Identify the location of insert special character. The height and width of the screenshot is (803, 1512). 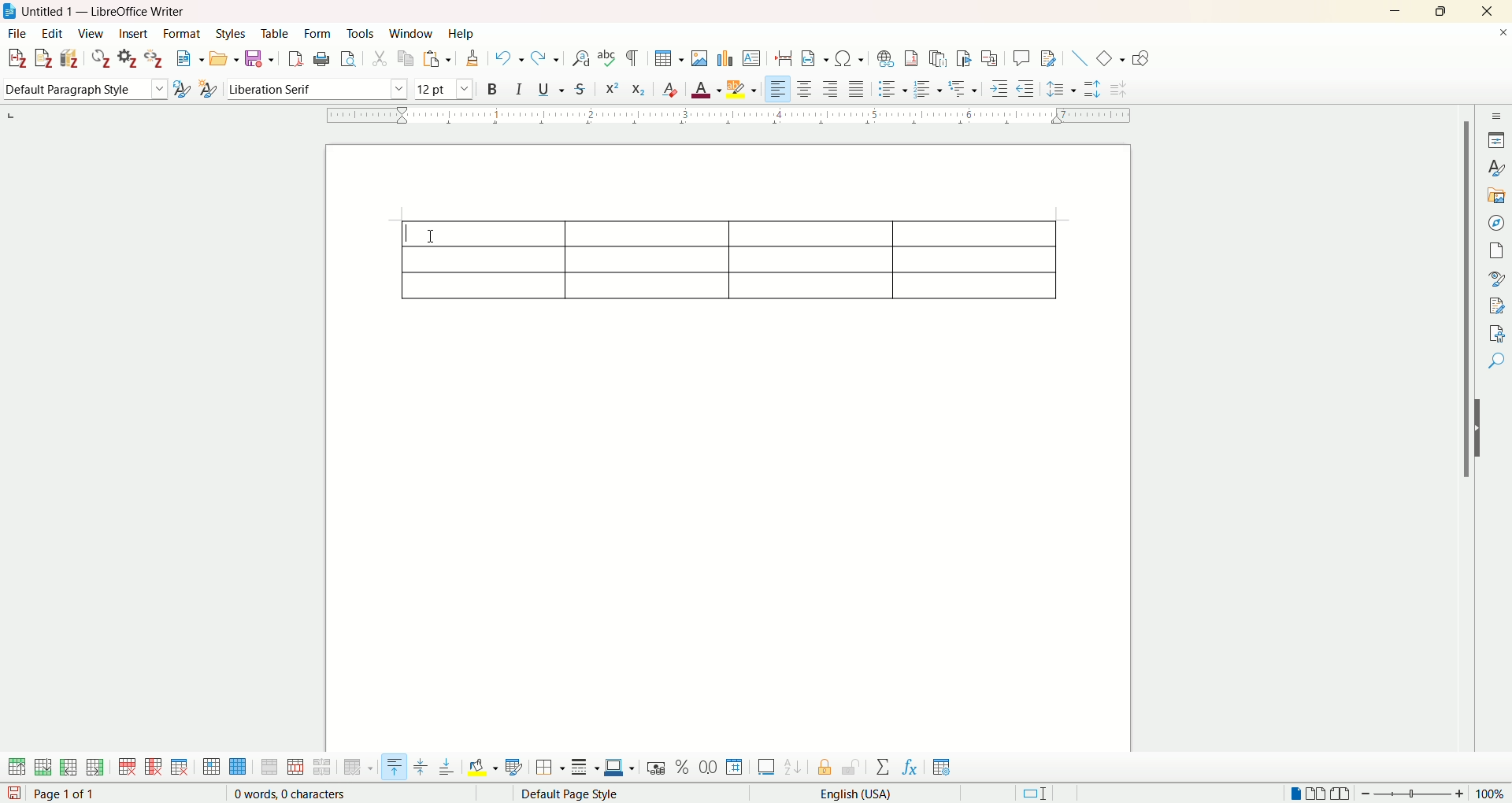
(850, 59).